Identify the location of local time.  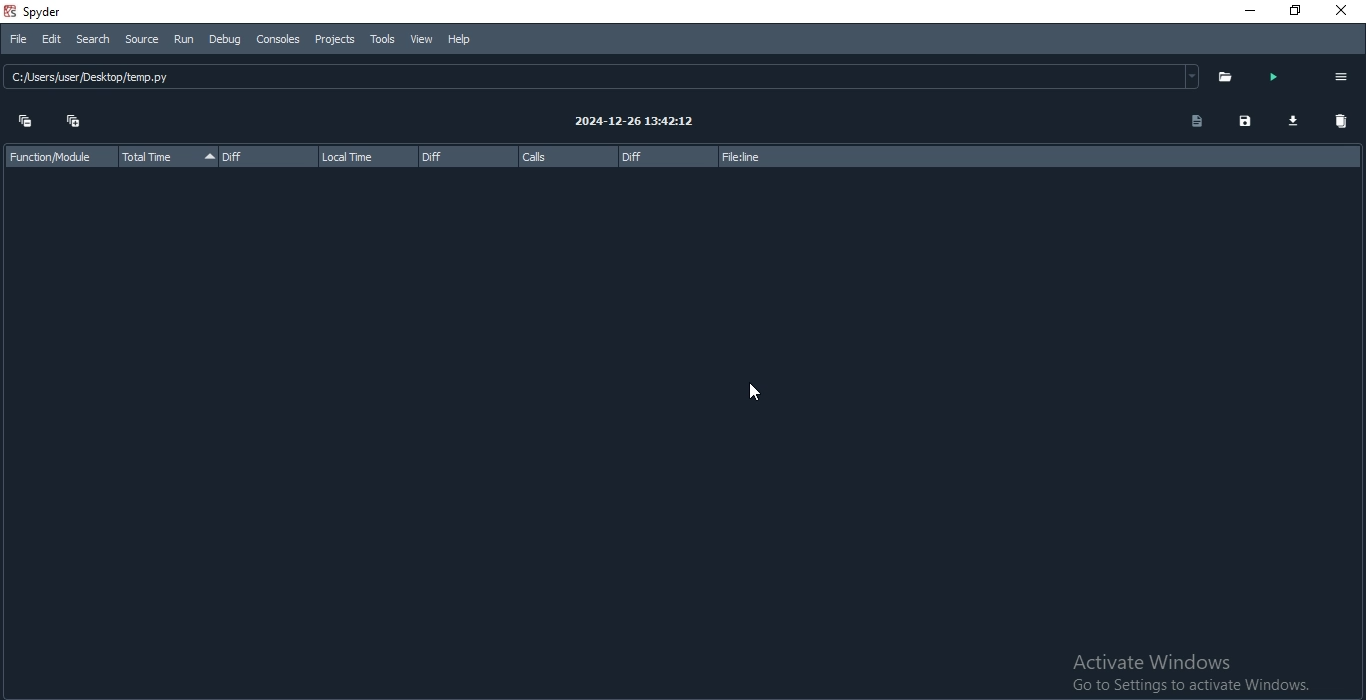
(367, 155).